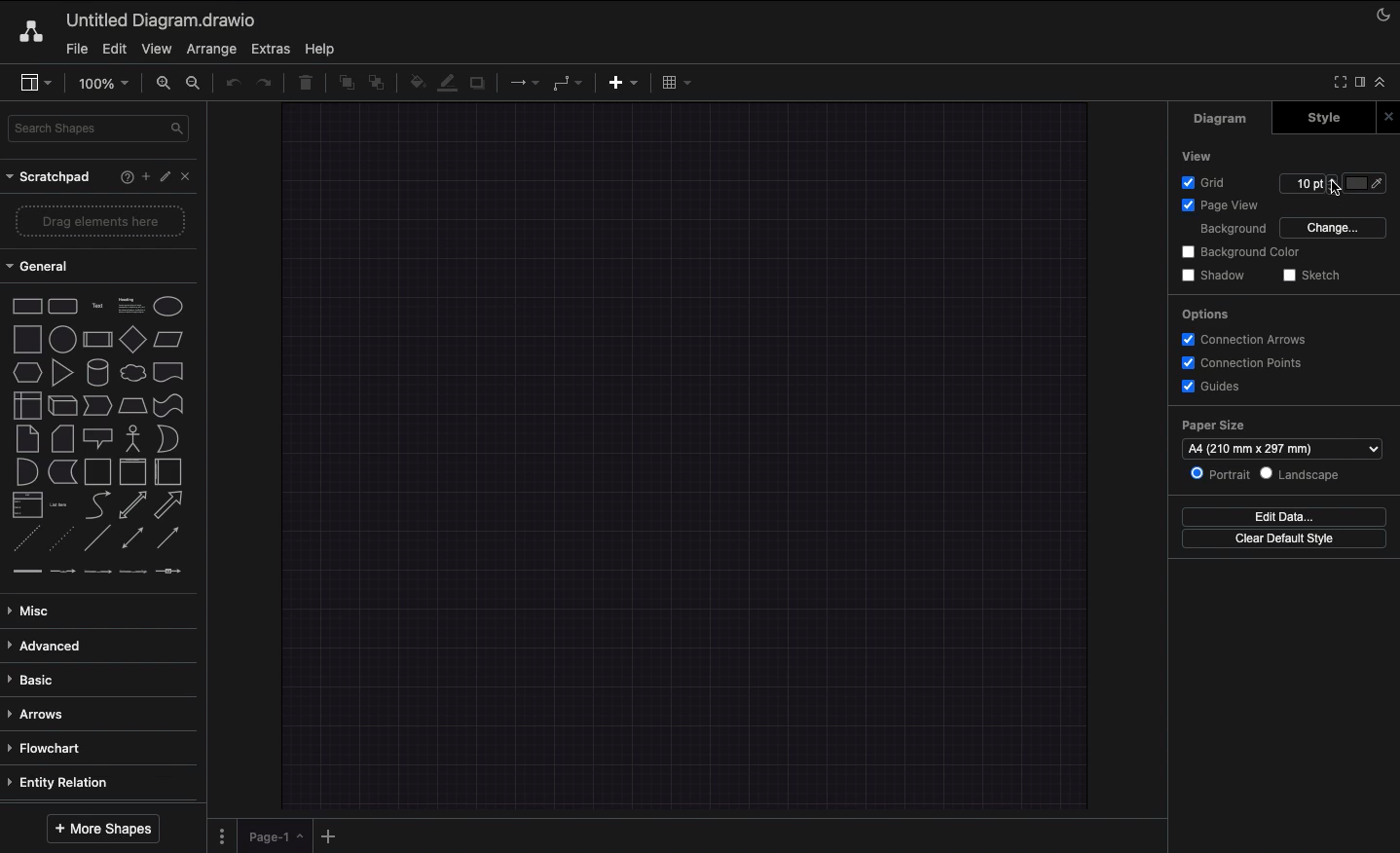 The image size is (1400, 853). Describe the element at coordinates (1287, 539) in the screenshot. I see `Clear default style` at that location.